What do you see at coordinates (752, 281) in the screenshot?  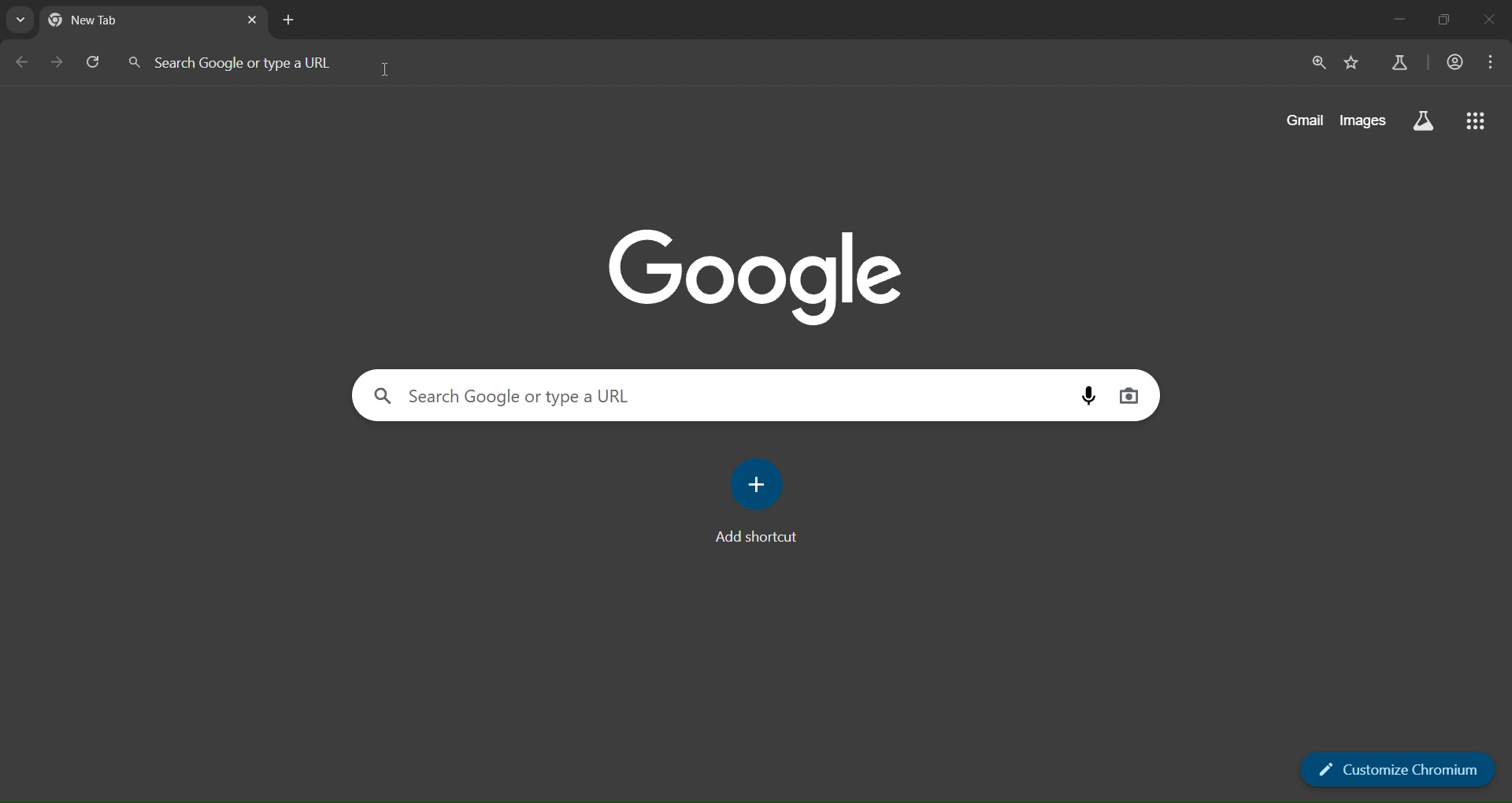 I see `google` at bounding box center [752, 281].